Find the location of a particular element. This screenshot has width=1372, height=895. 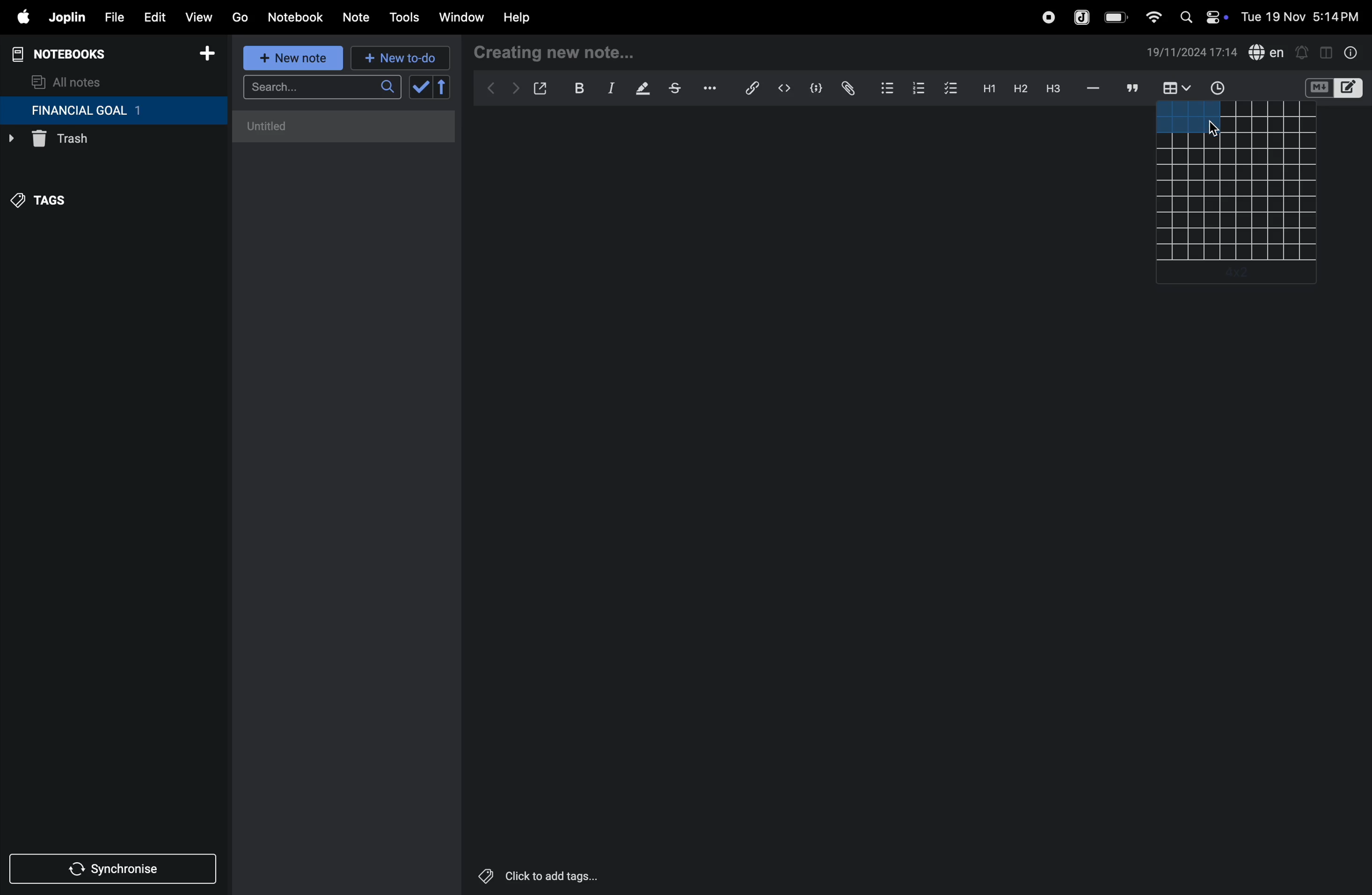

synchronize is located at coordinates (114, 867).